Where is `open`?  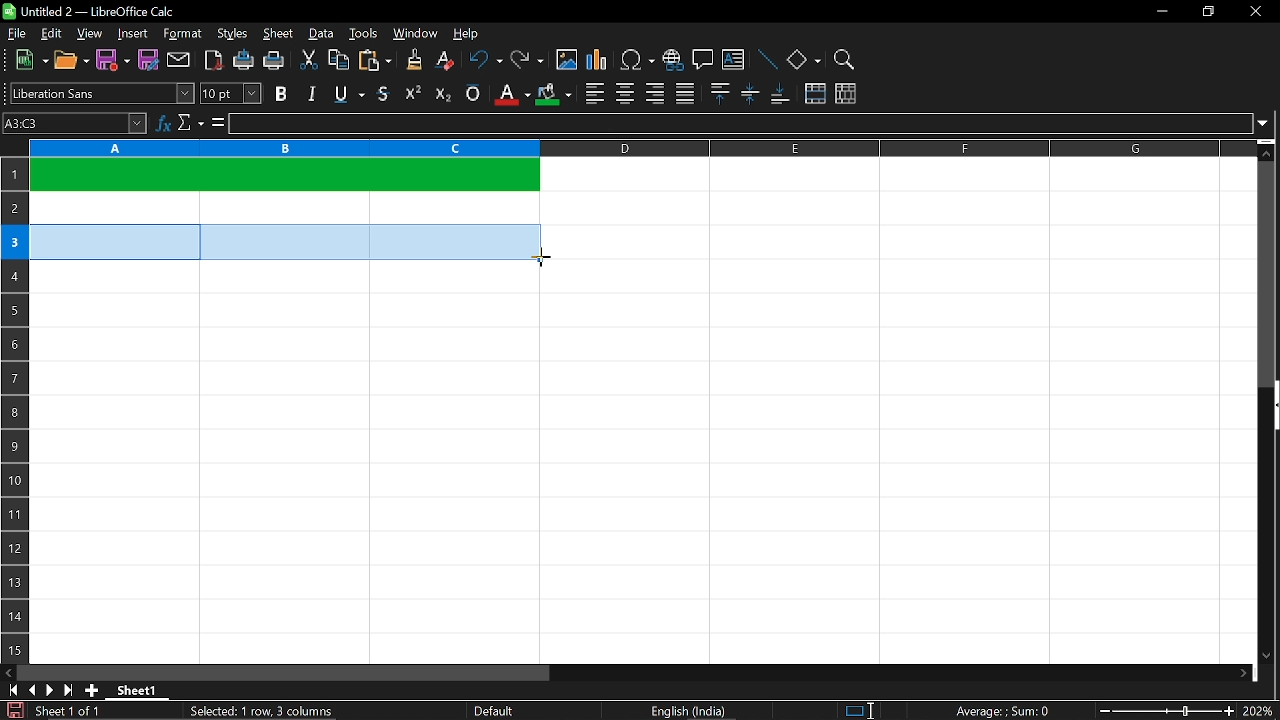
open is located at coordinates (71, 62).